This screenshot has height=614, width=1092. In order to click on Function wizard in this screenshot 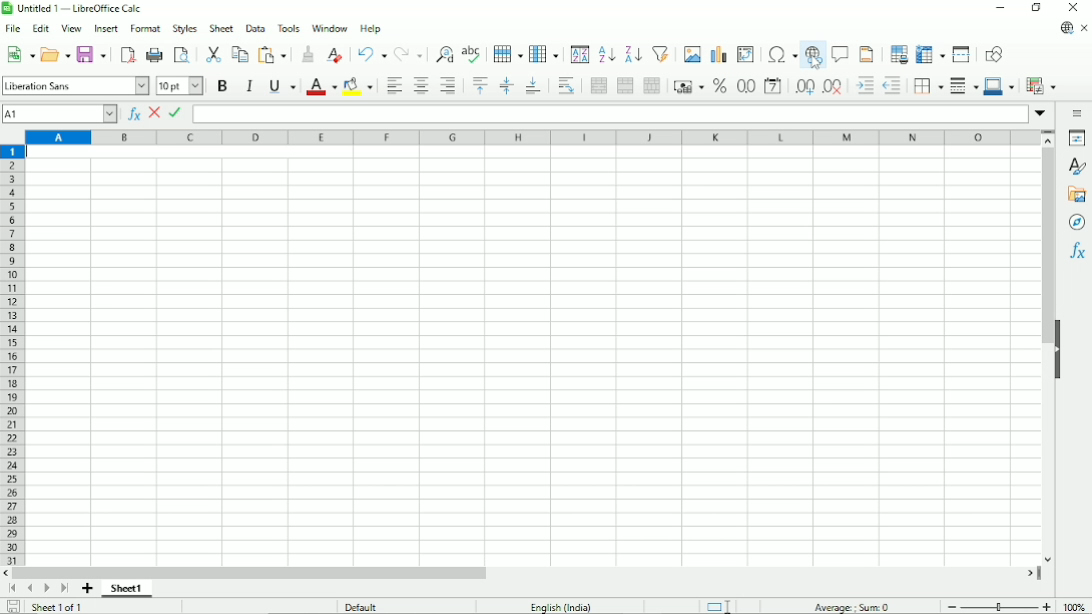, I will do `click(133, 114)`.